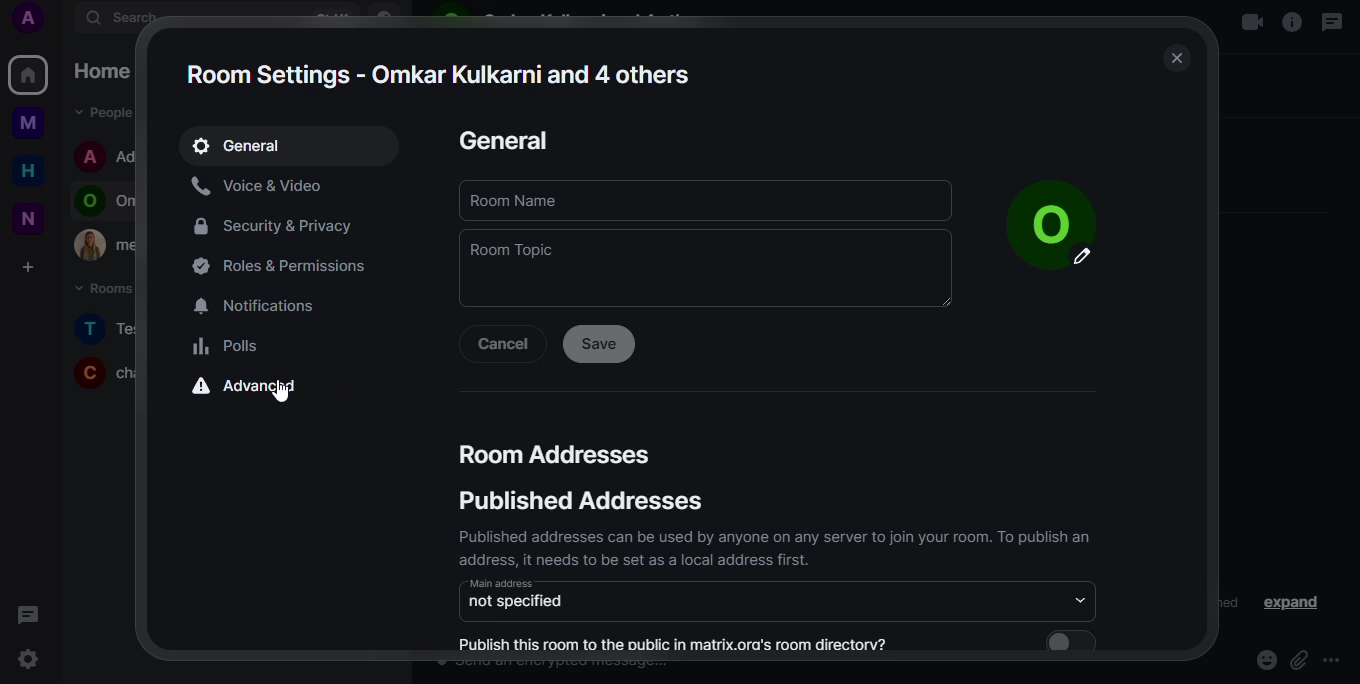 Image resolution: width=1360 pixels, height=684 pixels. Describe the element at coordinates (577, 498) in the screenshot. I see `published addresses` at that location.